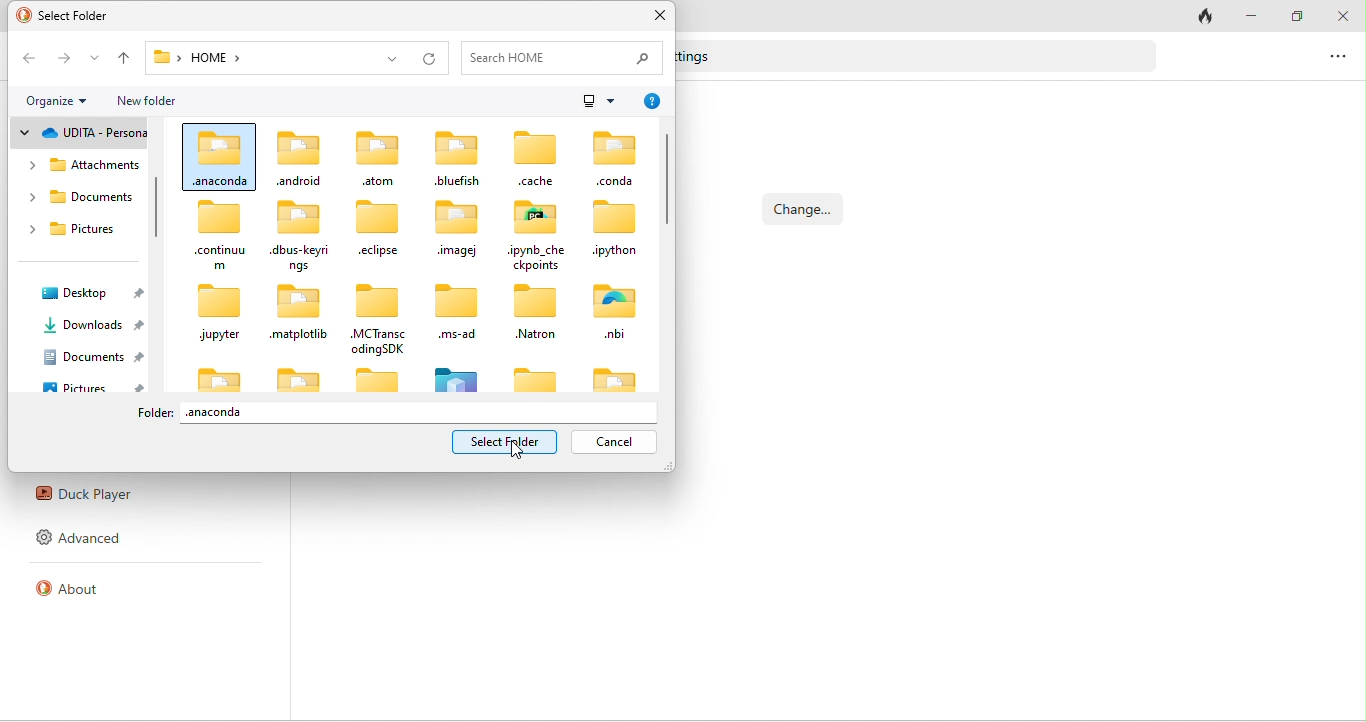 This screenshot has width=1366, height=722. What do you see at coordinates (74, 231) in the screenshot?
I see `pictures` at bounding box center [74, 231].